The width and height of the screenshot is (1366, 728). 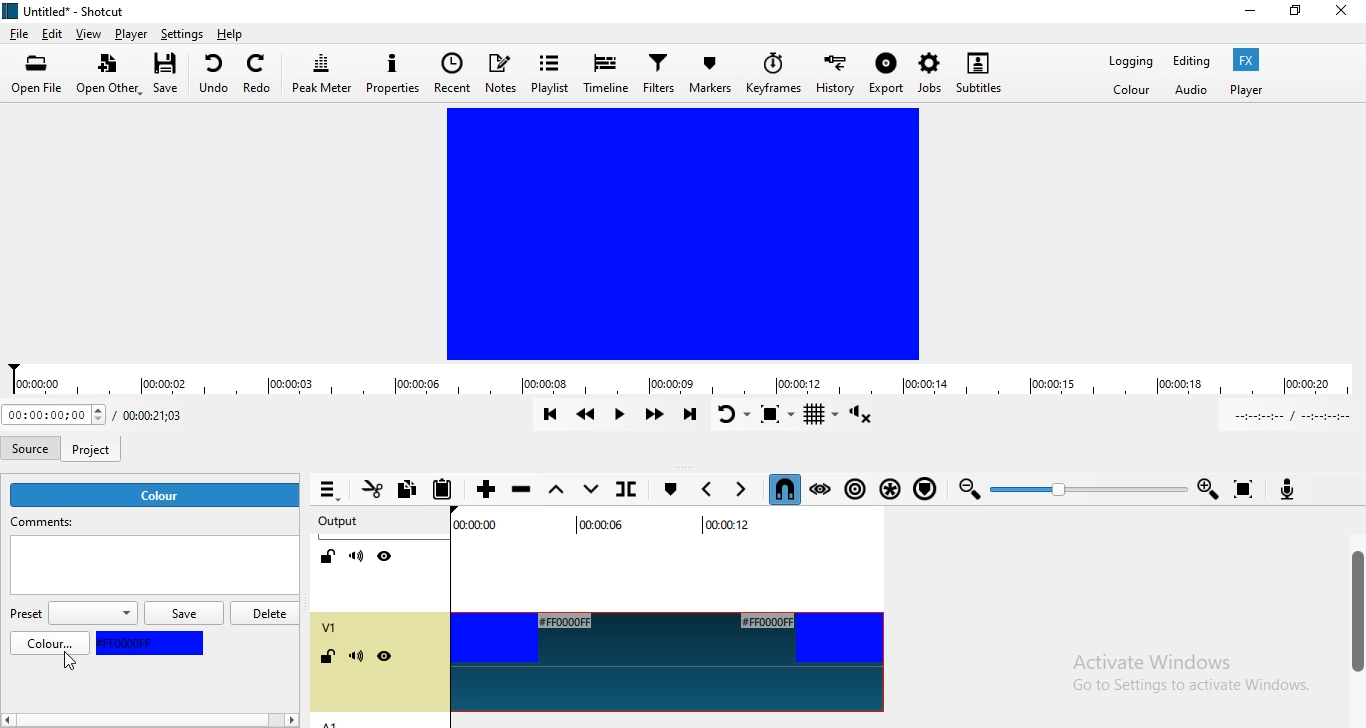 What do you see at coordinates (357, 557) in the screenshot?
I see `Mute` at bounding box center [357, 557].